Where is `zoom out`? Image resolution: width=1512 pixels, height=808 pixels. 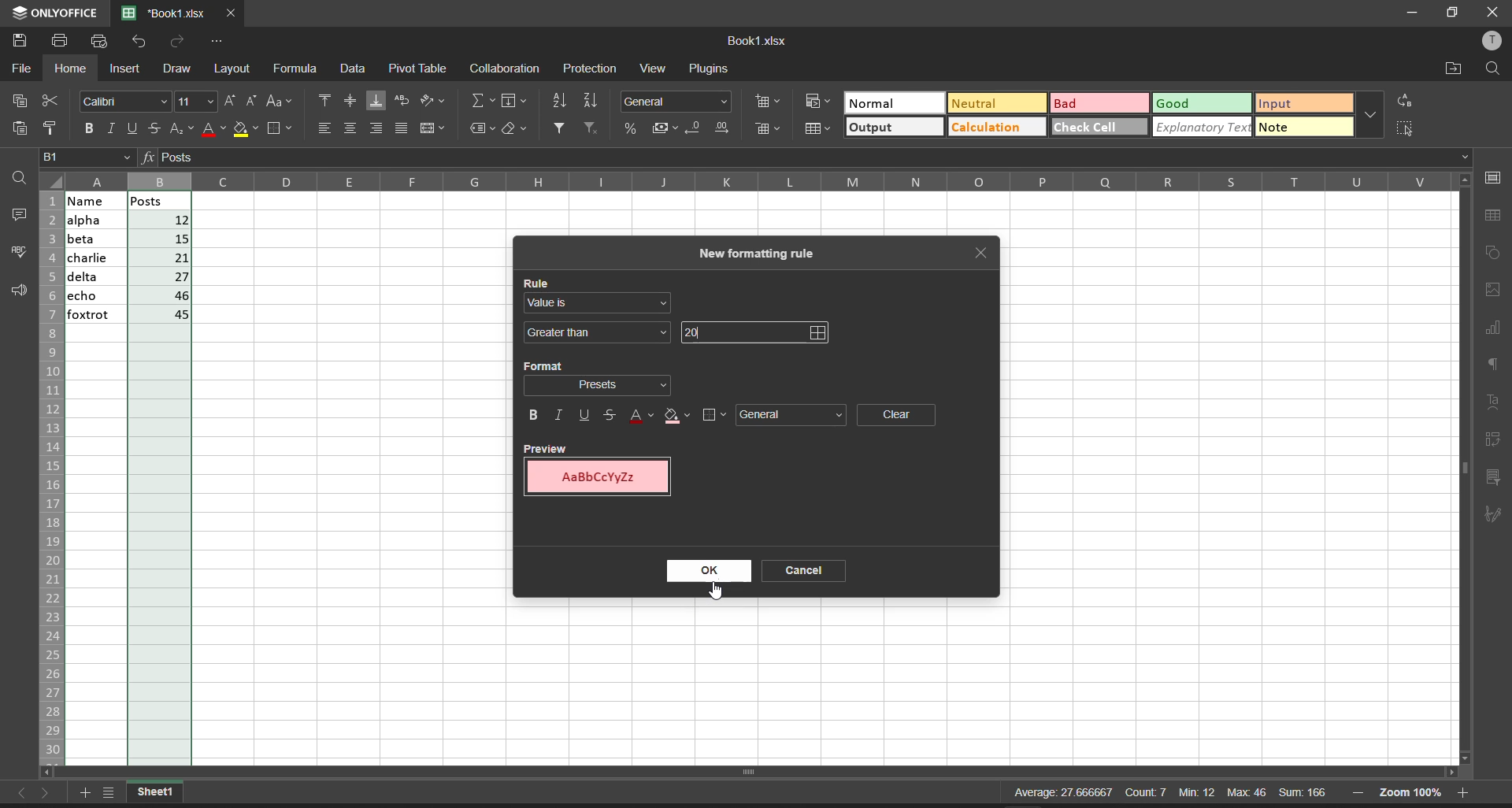 zoom out is located at coordinates (1358, 791).